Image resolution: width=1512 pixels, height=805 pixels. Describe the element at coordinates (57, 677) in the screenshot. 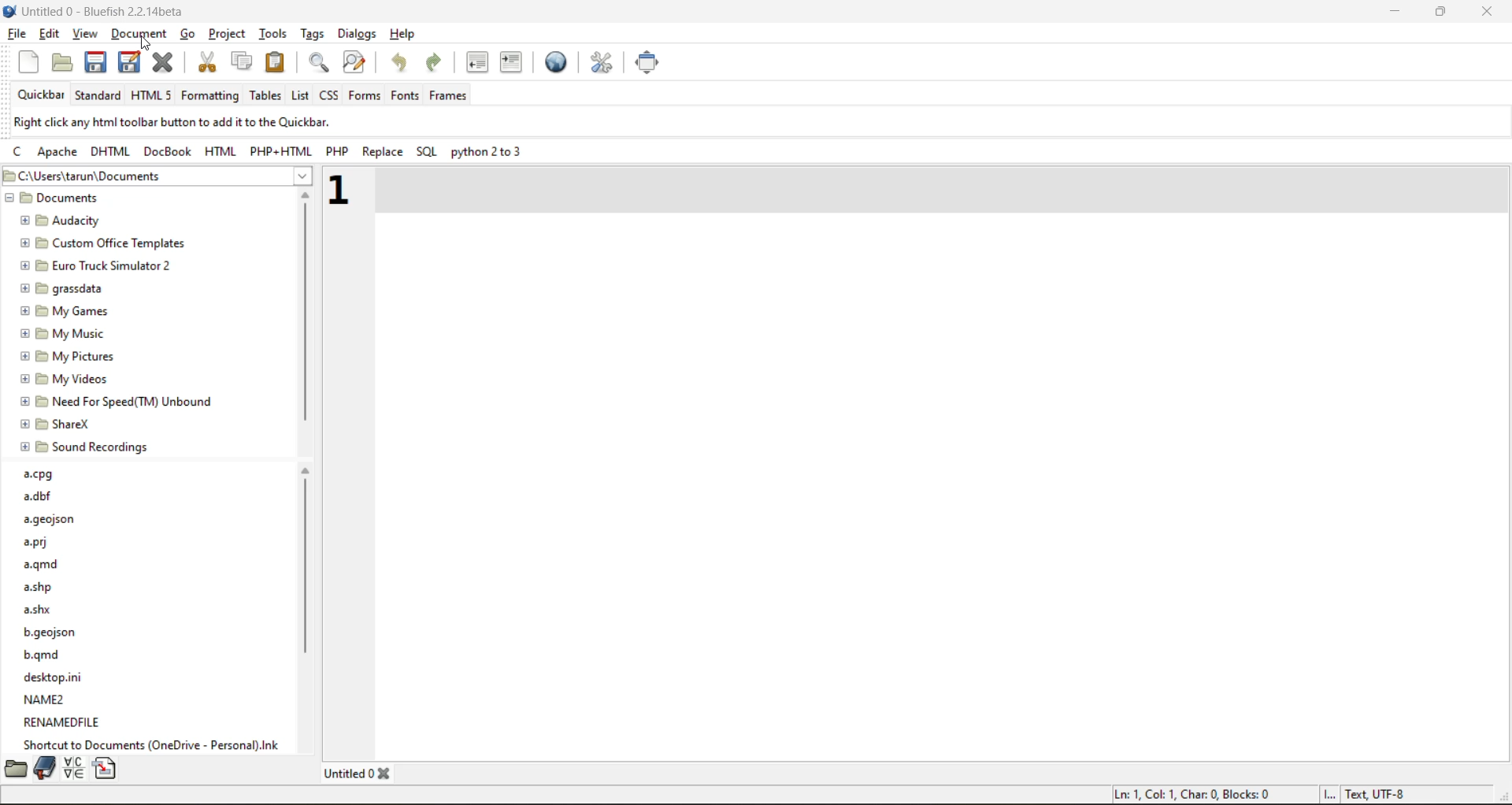

I see `desktop.ini` at that location.